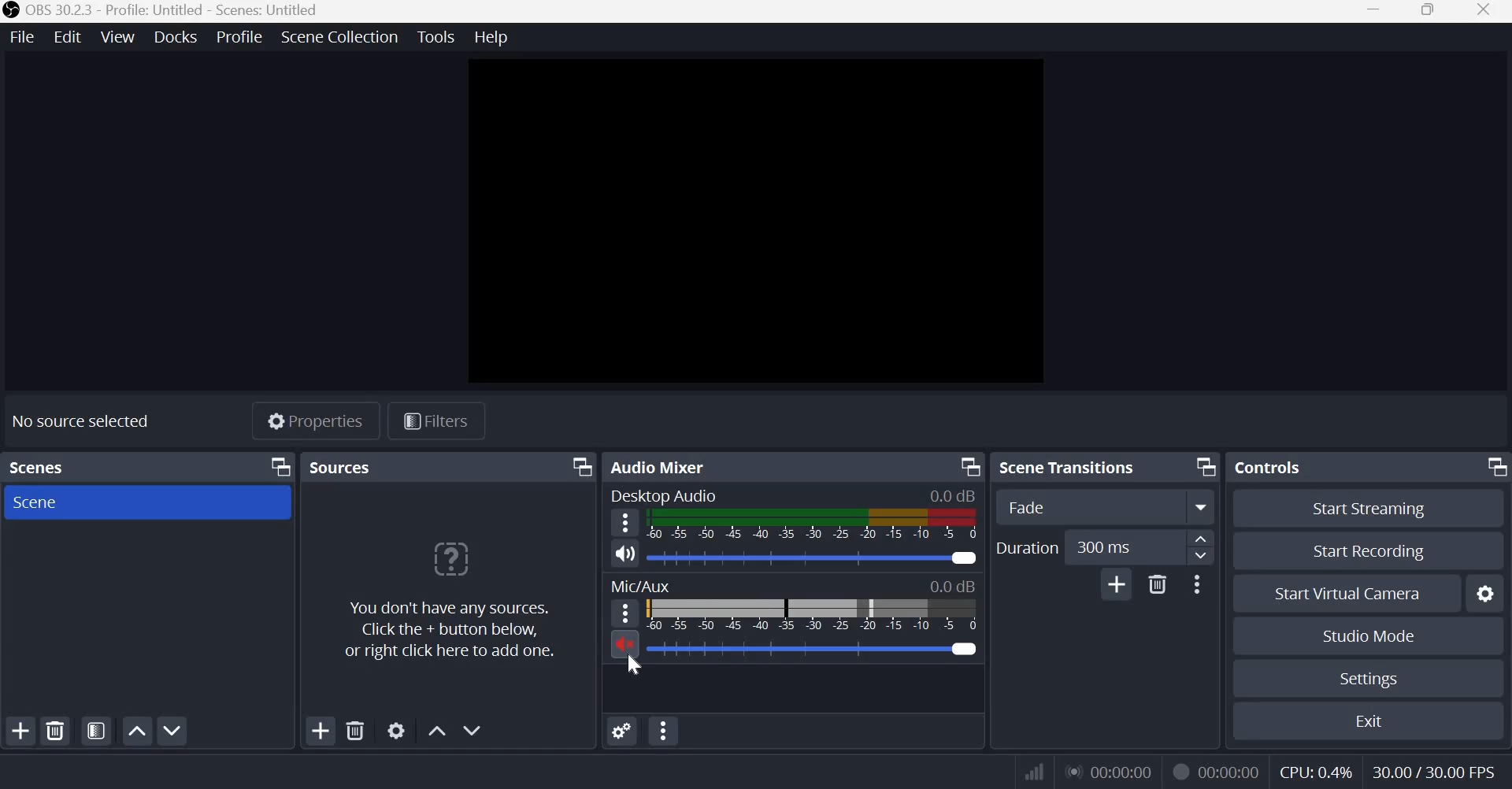  I want to click on Profile, so click(239, 37).